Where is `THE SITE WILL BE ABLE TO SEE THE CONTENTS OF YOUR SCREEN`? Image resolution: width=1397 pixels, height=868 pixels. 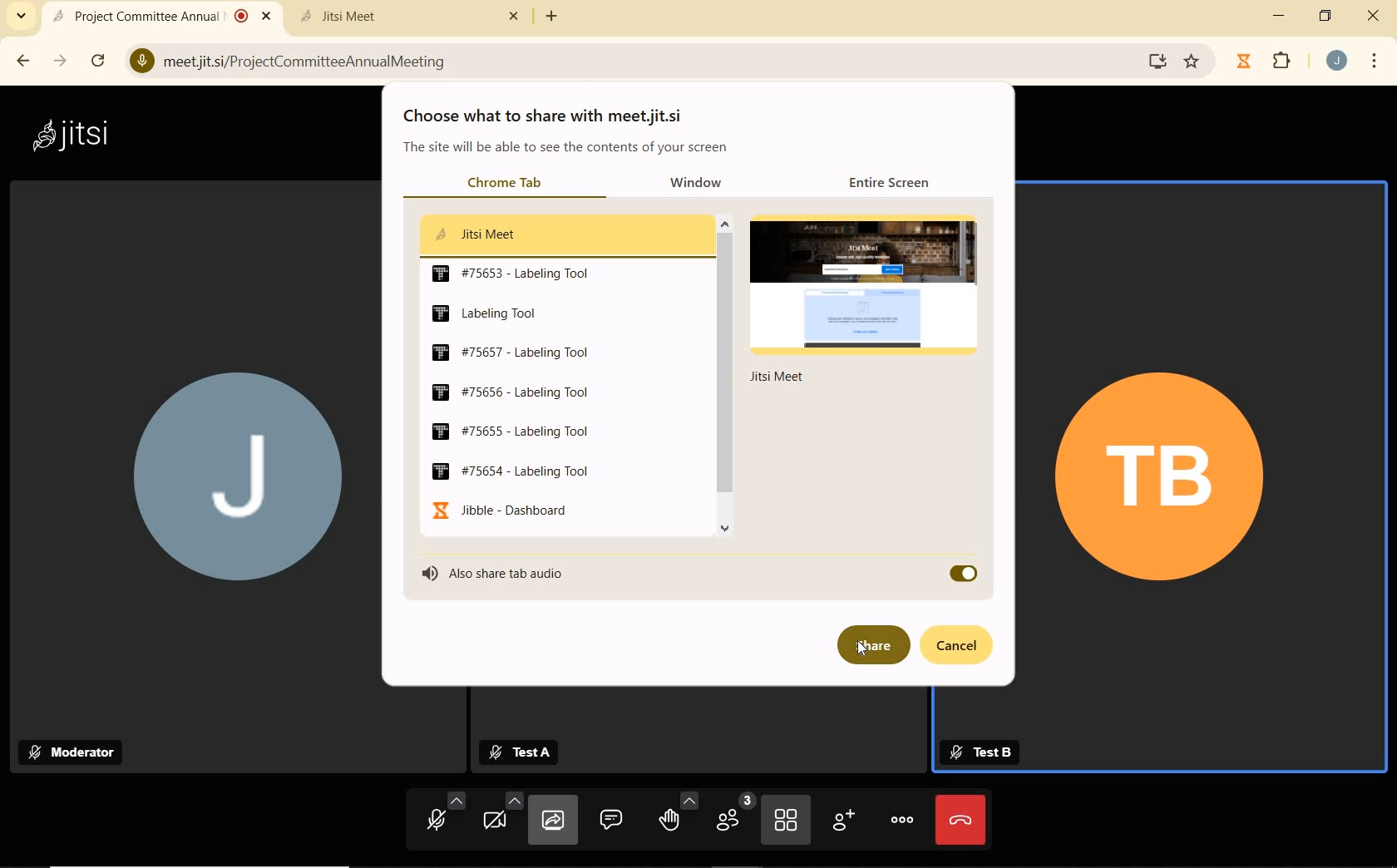 THE SITE WILL BE ABLE TO SEE THE CONTENTS OF YOUR SCREEN is located at coordinates (567, 150).